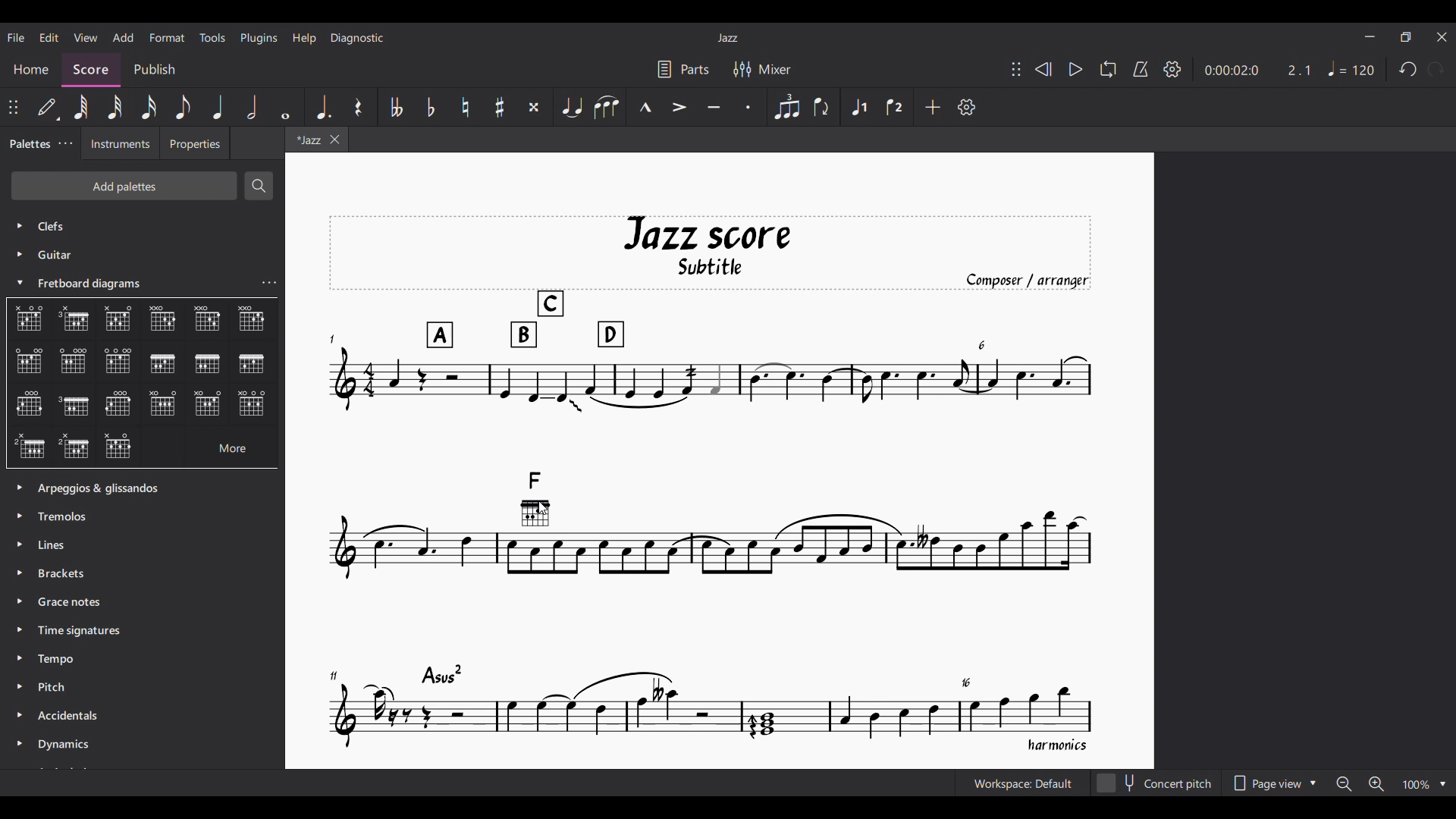  I want to click on Quarter note, so click(219, 107).